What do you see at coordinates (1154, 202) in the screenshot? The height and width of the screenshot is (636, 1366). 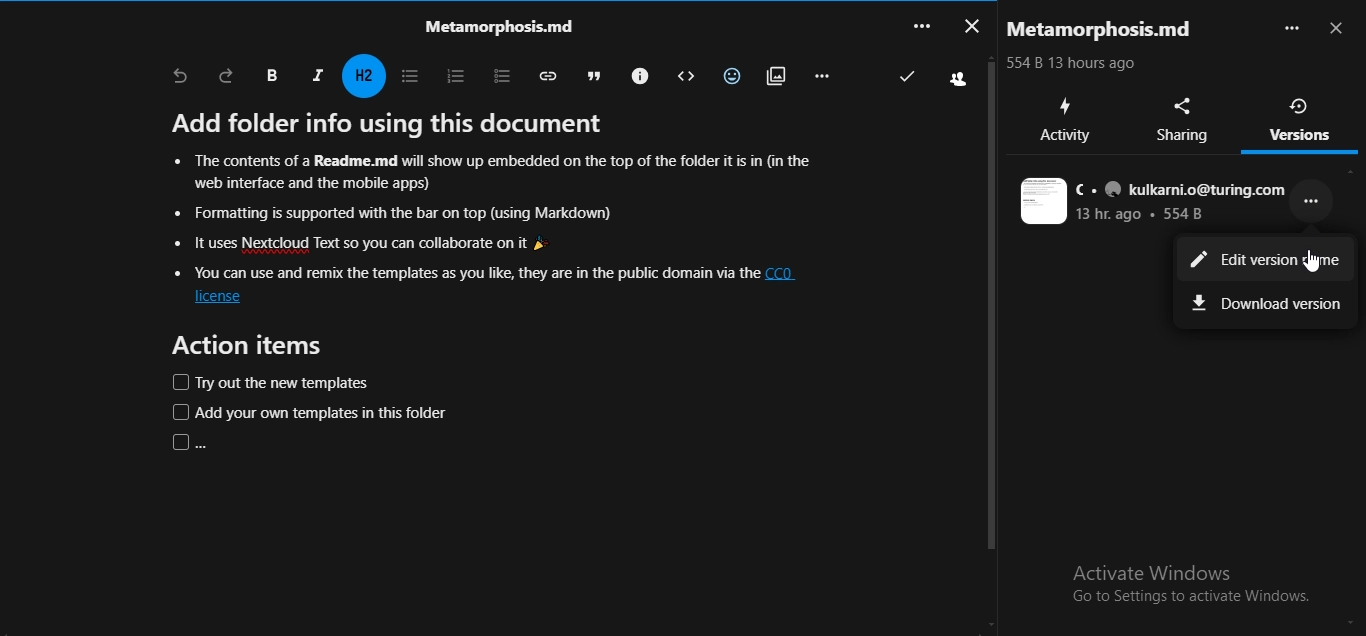 I see `text` at bounding box center [1154, 202].